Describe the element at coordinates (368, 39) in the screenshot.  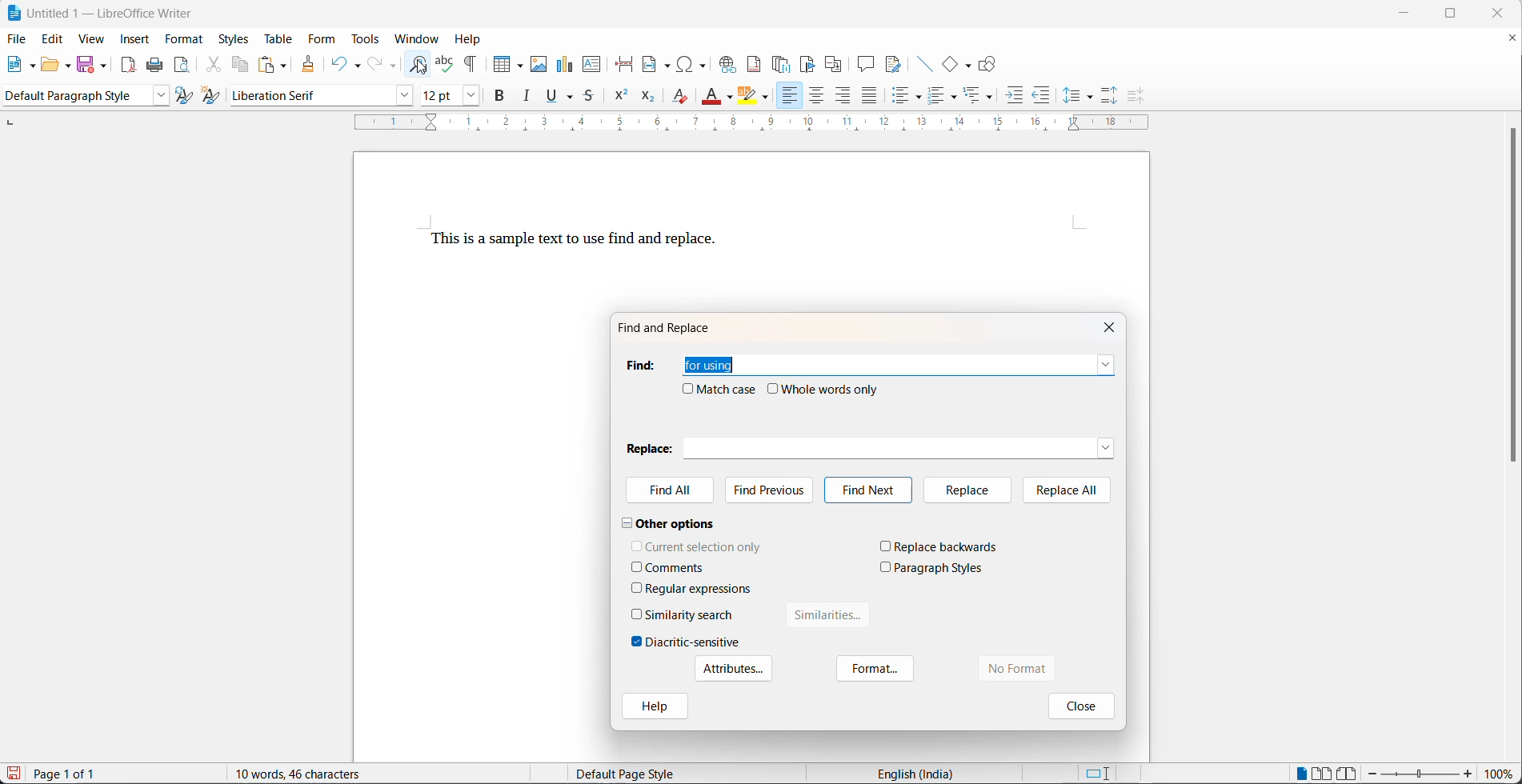
I see `tools` at that location.